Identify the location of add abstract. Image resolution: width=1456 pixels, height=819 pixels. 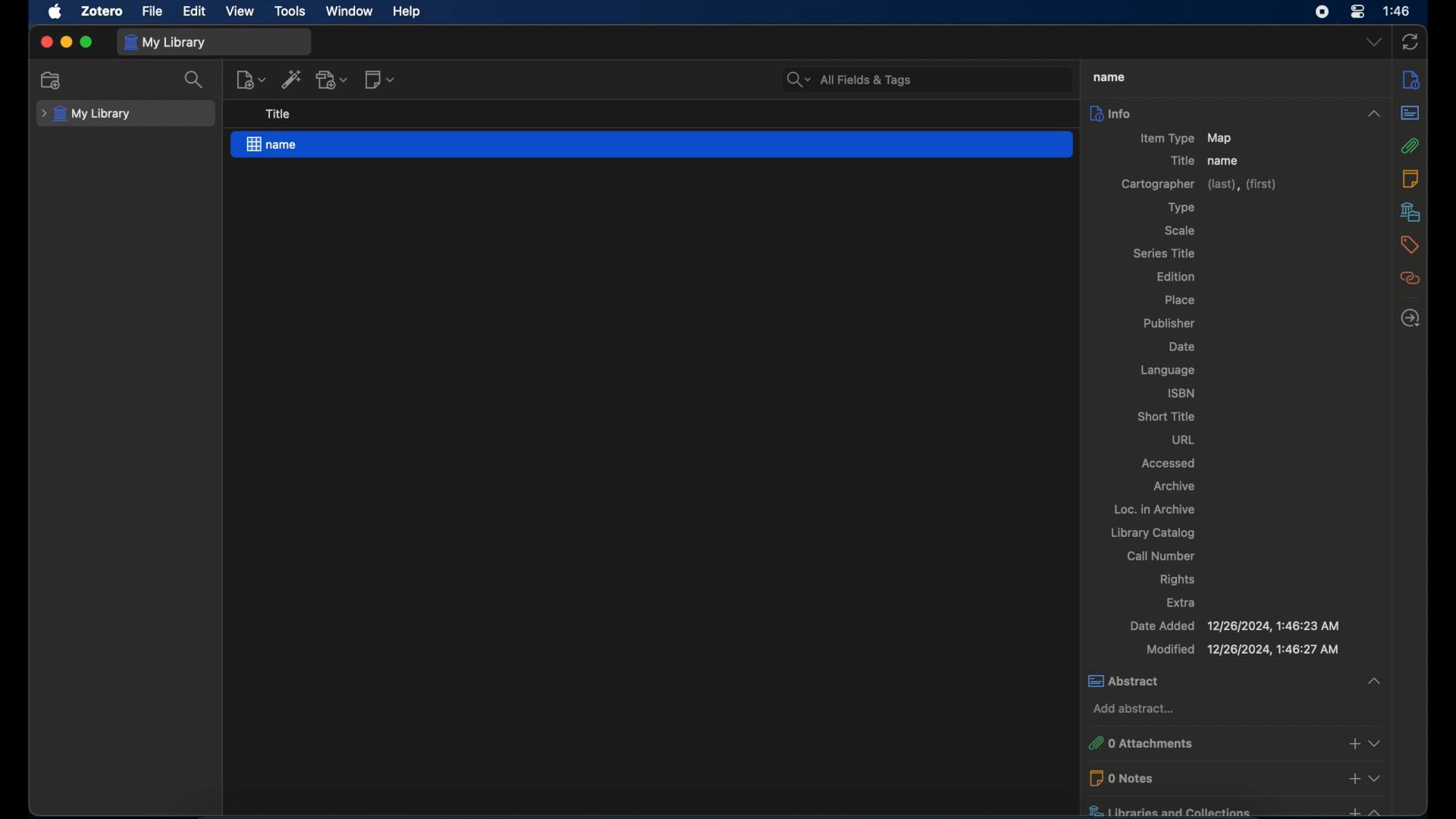
(1137, 710).